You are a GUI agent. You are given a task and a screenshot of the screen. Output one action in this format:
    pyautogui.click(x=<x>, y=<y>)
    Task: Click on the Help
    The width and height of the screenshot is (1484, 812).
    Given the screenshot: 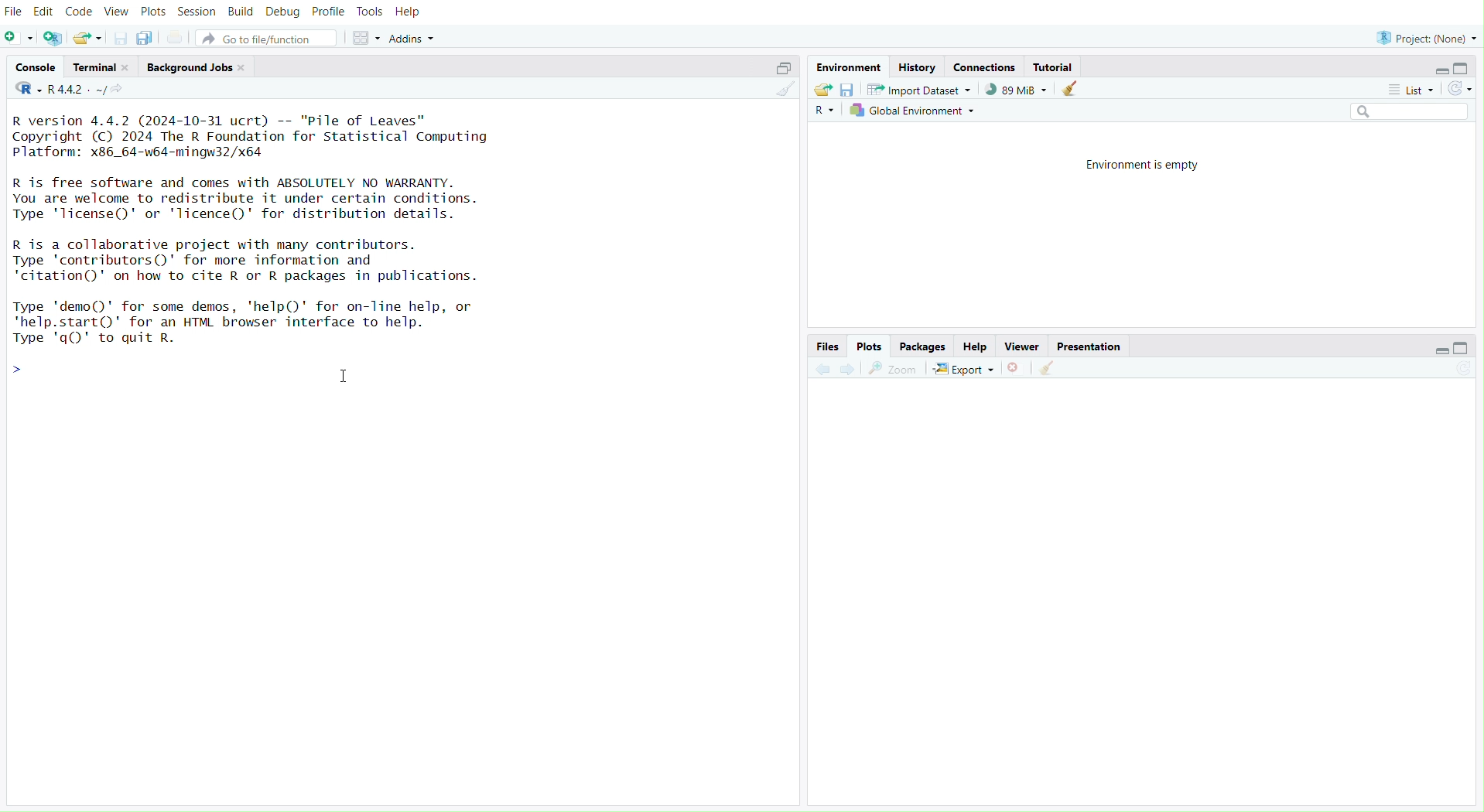 What is the action you would take?
    pyautogui.click(x=412, y=10)
    